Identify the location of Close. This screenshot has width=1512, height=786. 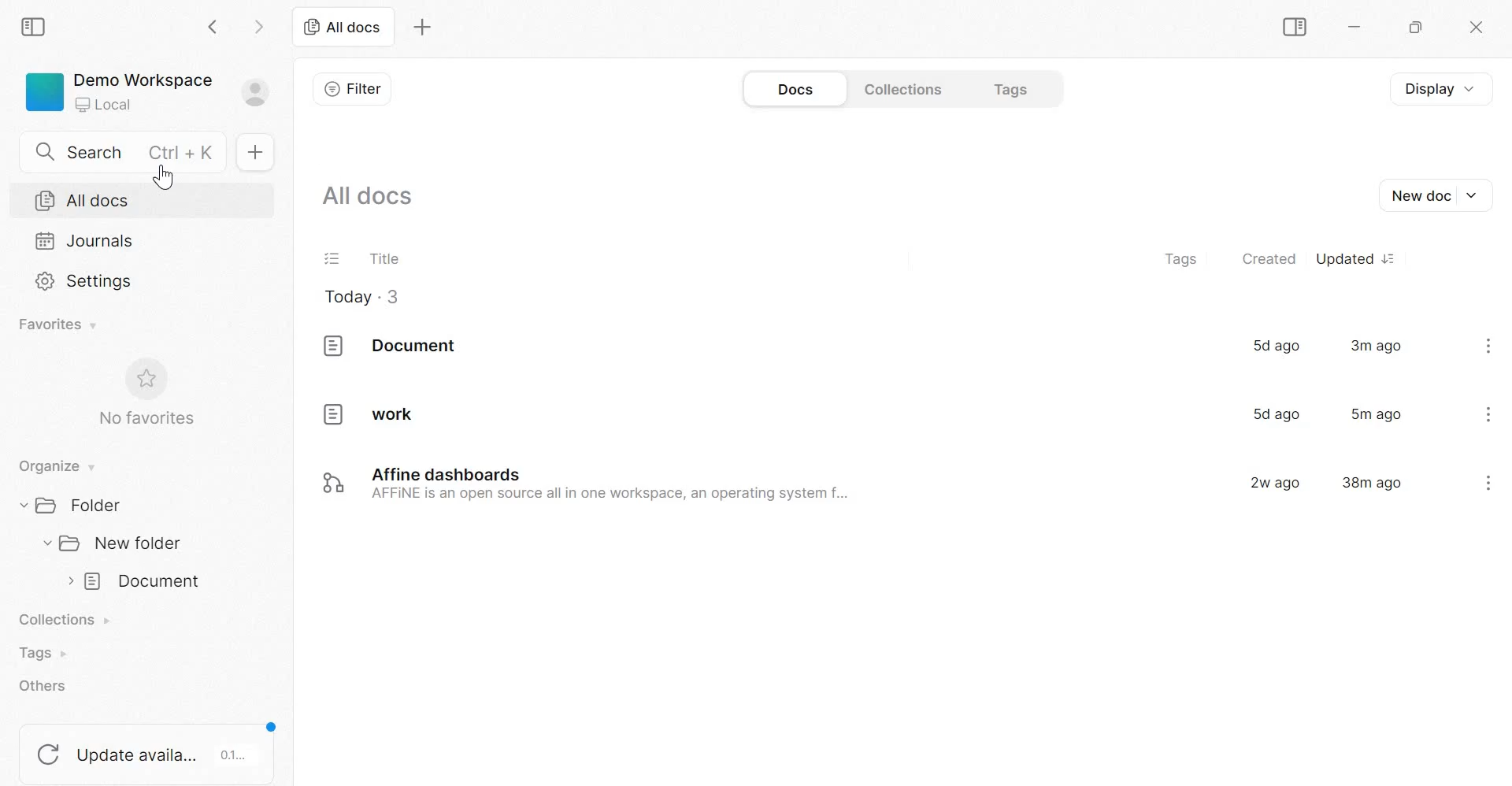
(1473, 28).